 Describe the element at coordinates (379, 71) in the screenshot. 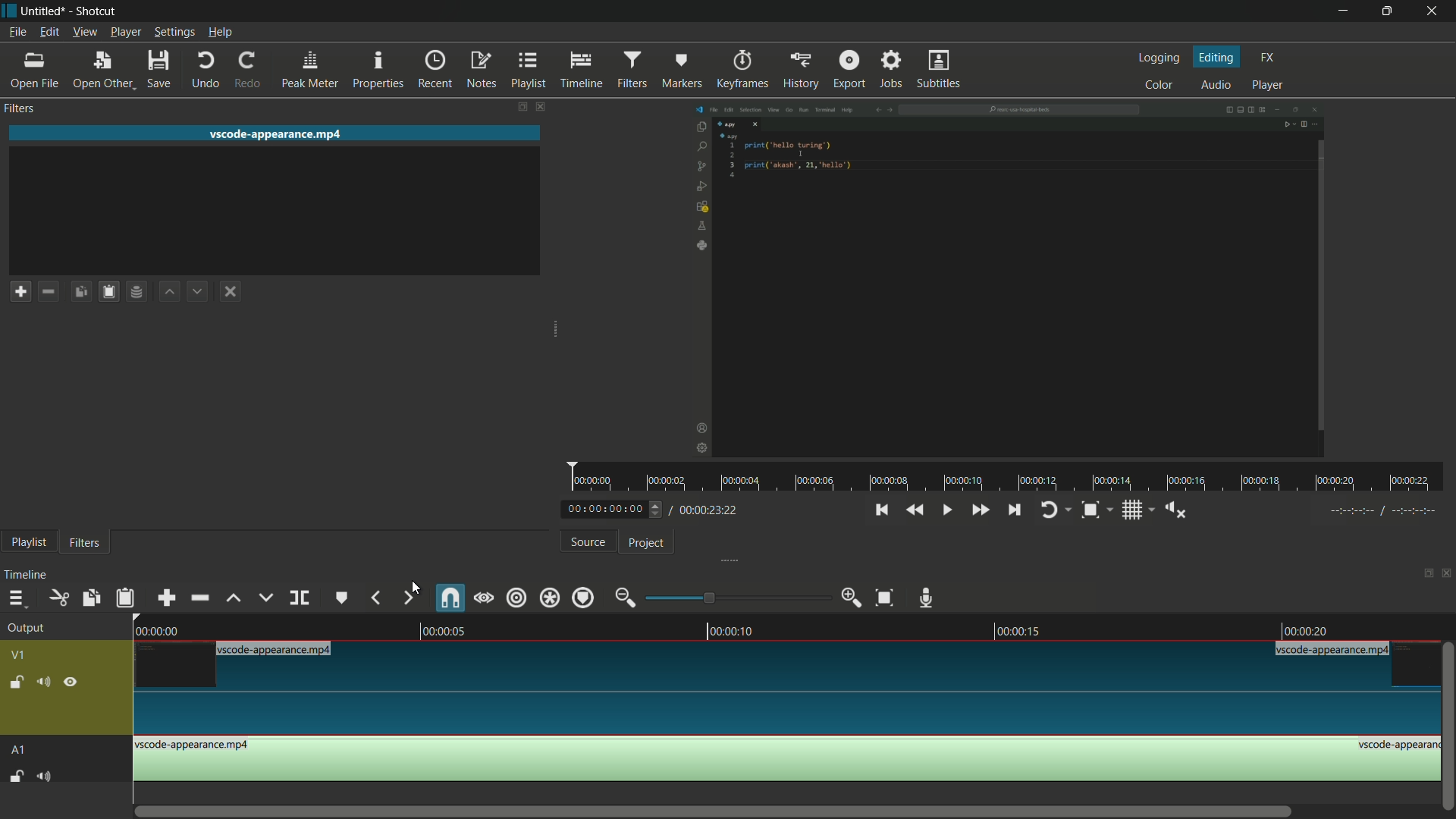

I see `properties` at that location.